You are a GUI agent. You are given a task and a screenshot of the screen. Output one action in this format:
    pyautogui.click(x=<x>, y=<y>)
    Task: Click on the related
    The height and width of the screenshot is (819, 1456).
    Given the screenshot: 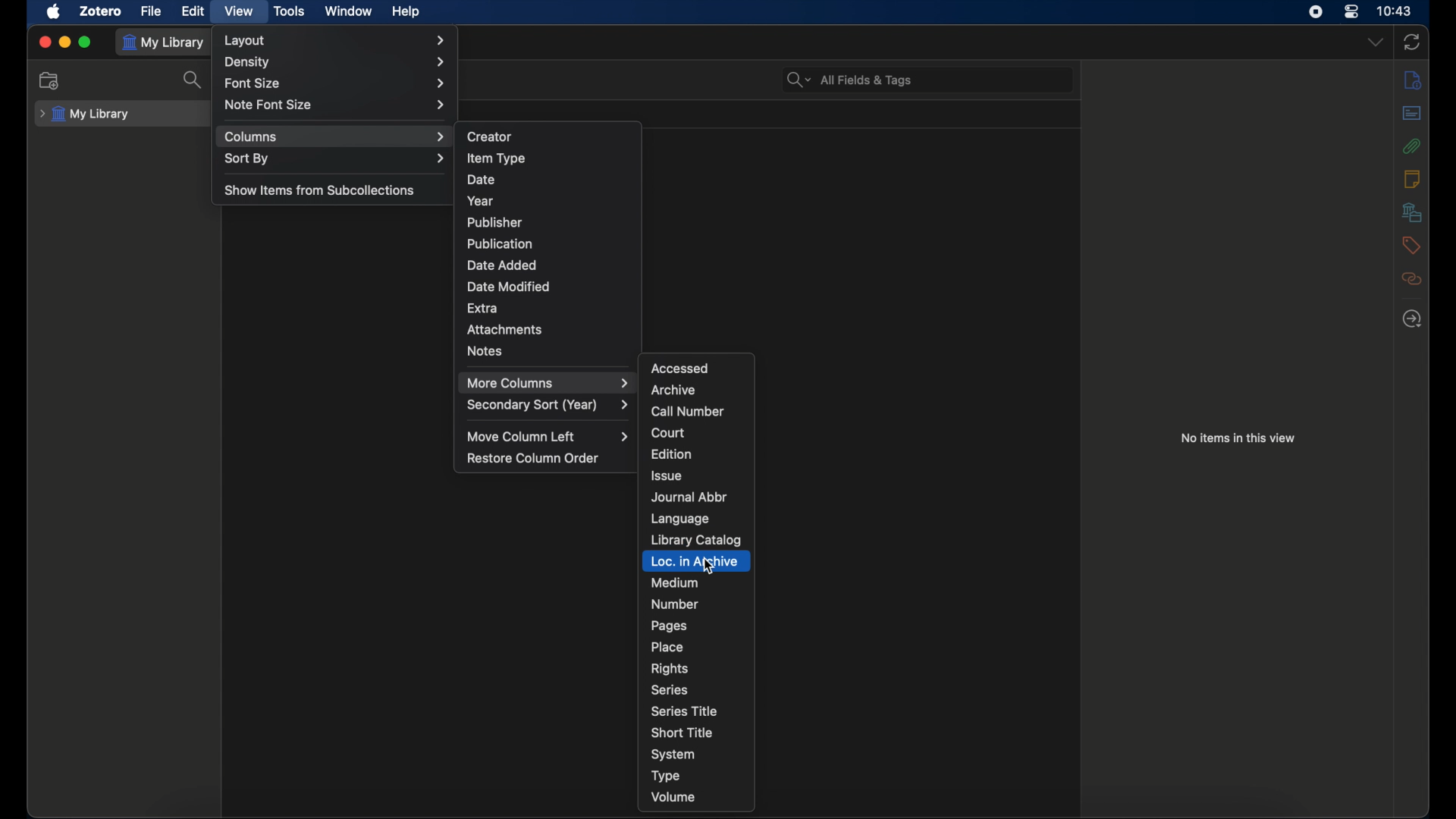 What is the action you would take?
    pyautogui.click(x=1411, y=278)
    